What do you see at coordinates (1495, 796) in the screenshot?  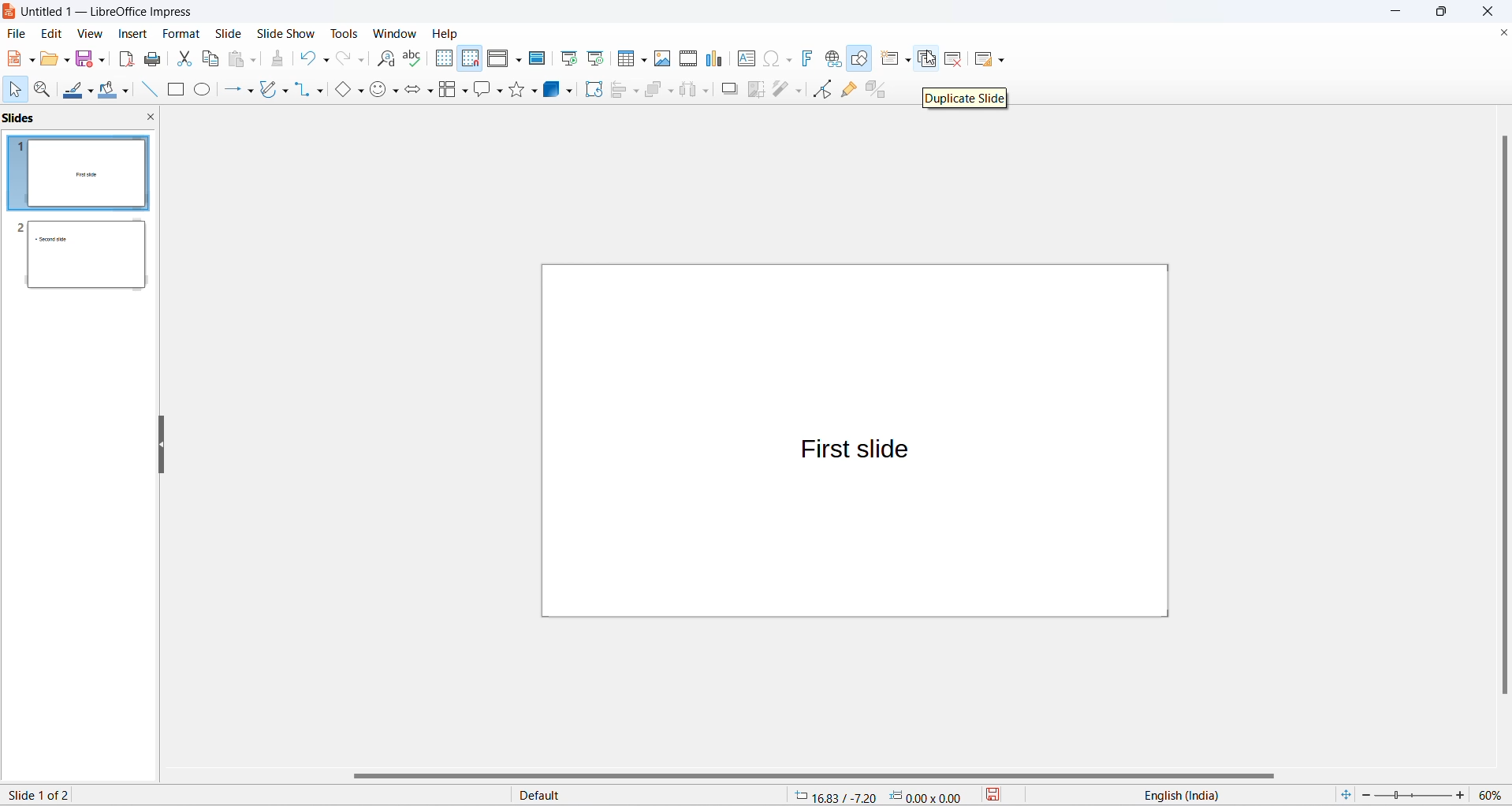 I see `zoom percentage` at bounding box center [1495, 796].